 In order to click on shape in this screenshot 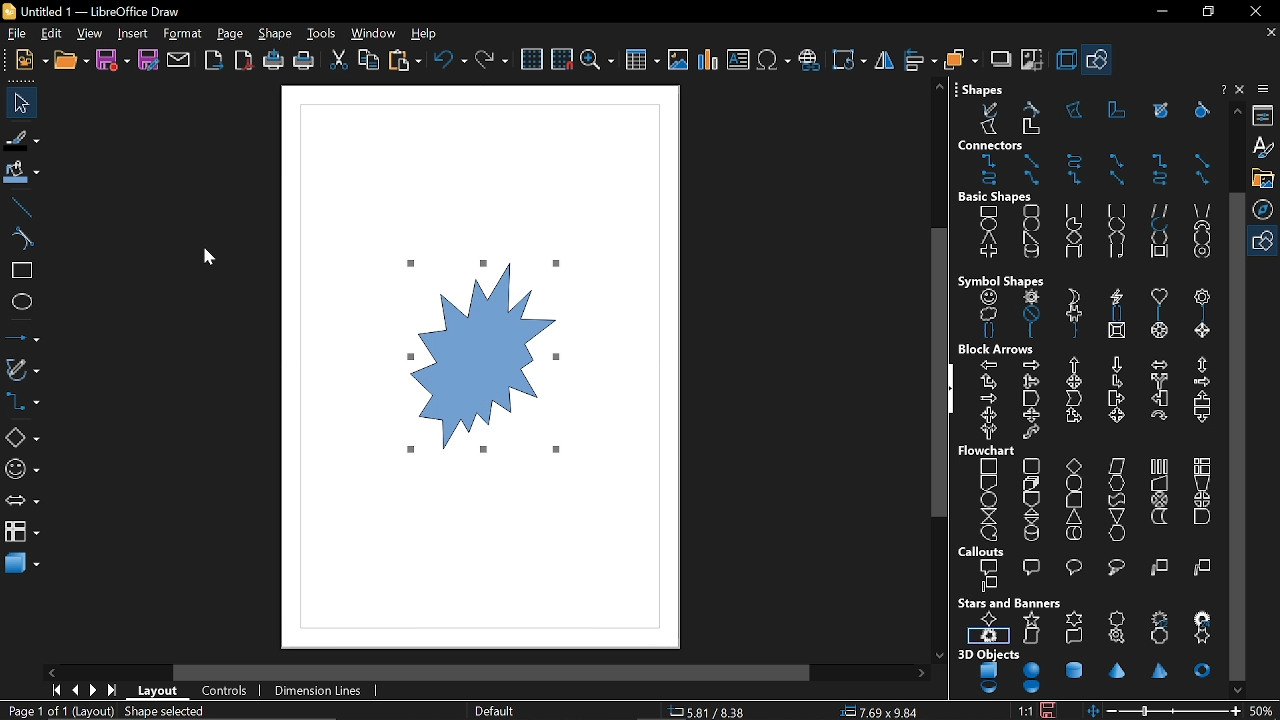, I will do `click(277, 35)`.